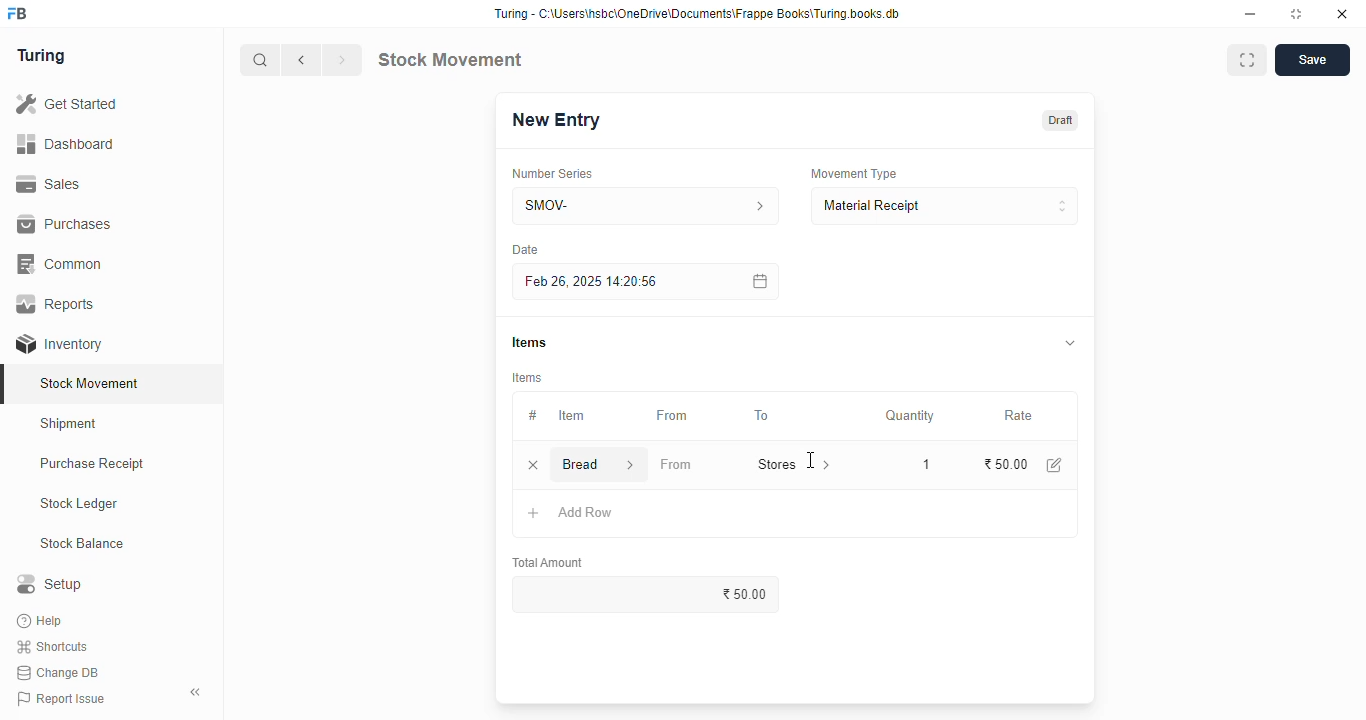 The height and width of the screenshot is (720, 1366). I want to click on edit, so click(1055, 465).